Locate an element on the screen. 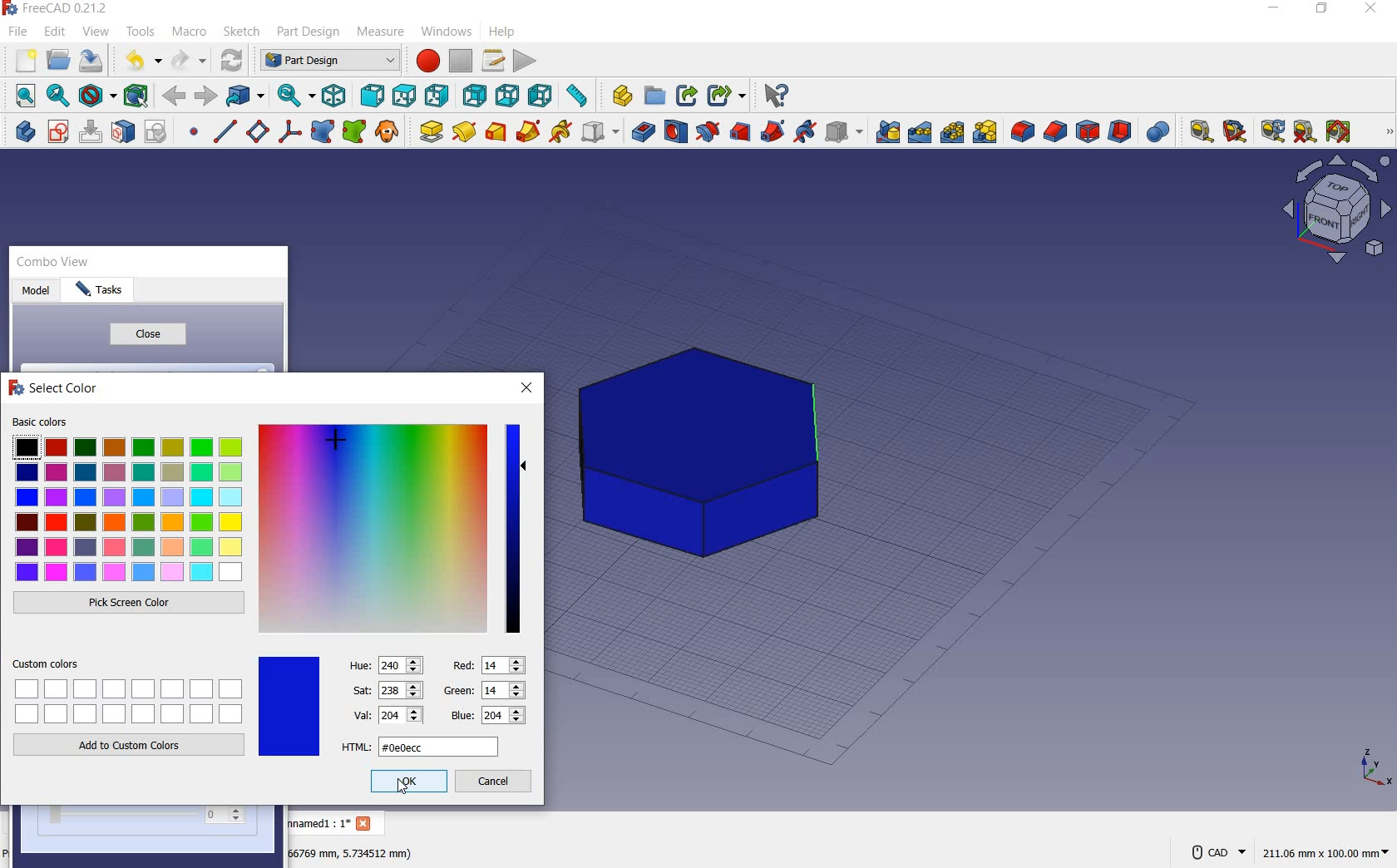 Image resolution: width=1397 pixels, height=868 pixels. save is located at coordinates (91, 60).